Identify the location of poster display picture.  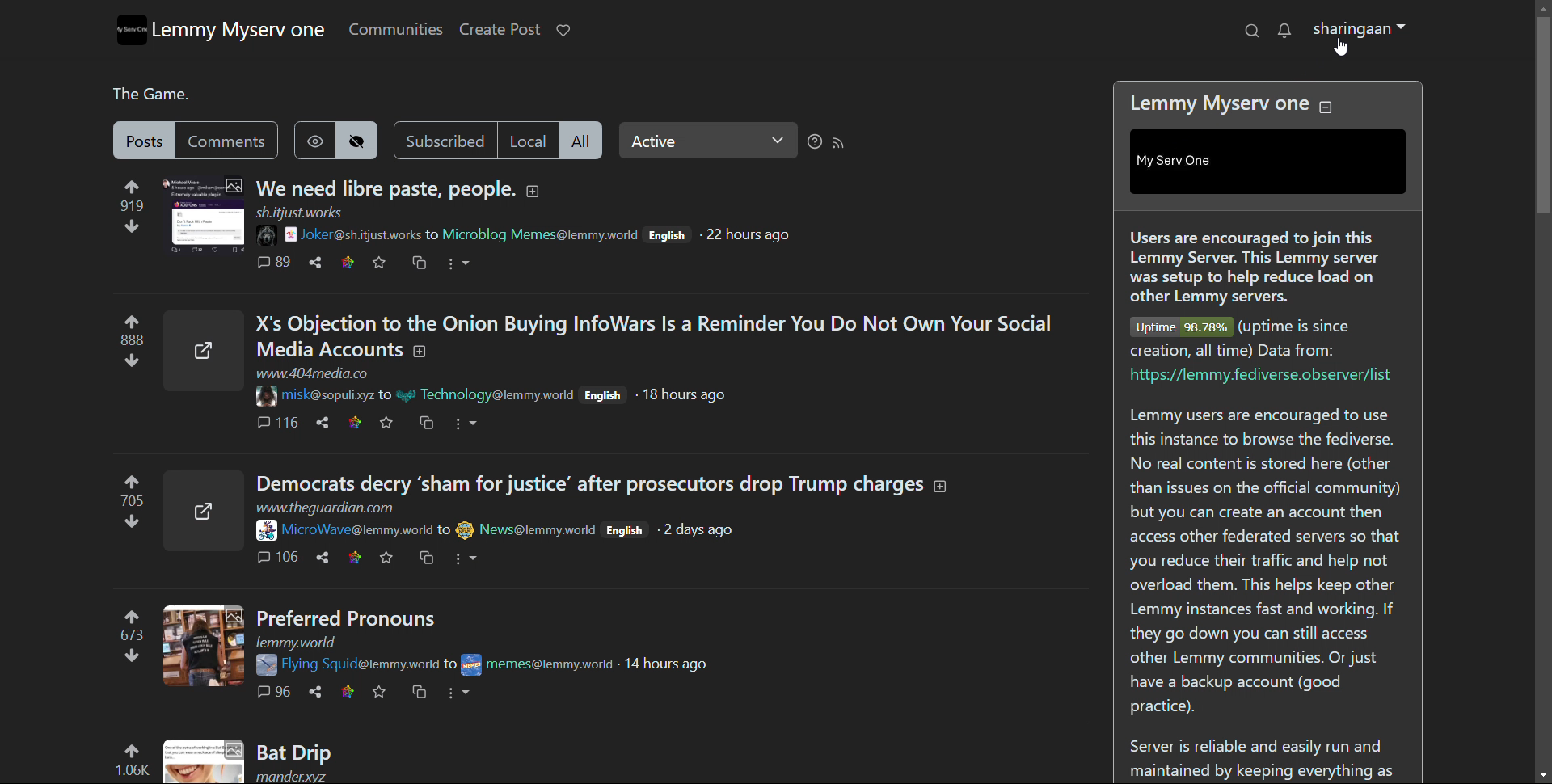
(464, 529).